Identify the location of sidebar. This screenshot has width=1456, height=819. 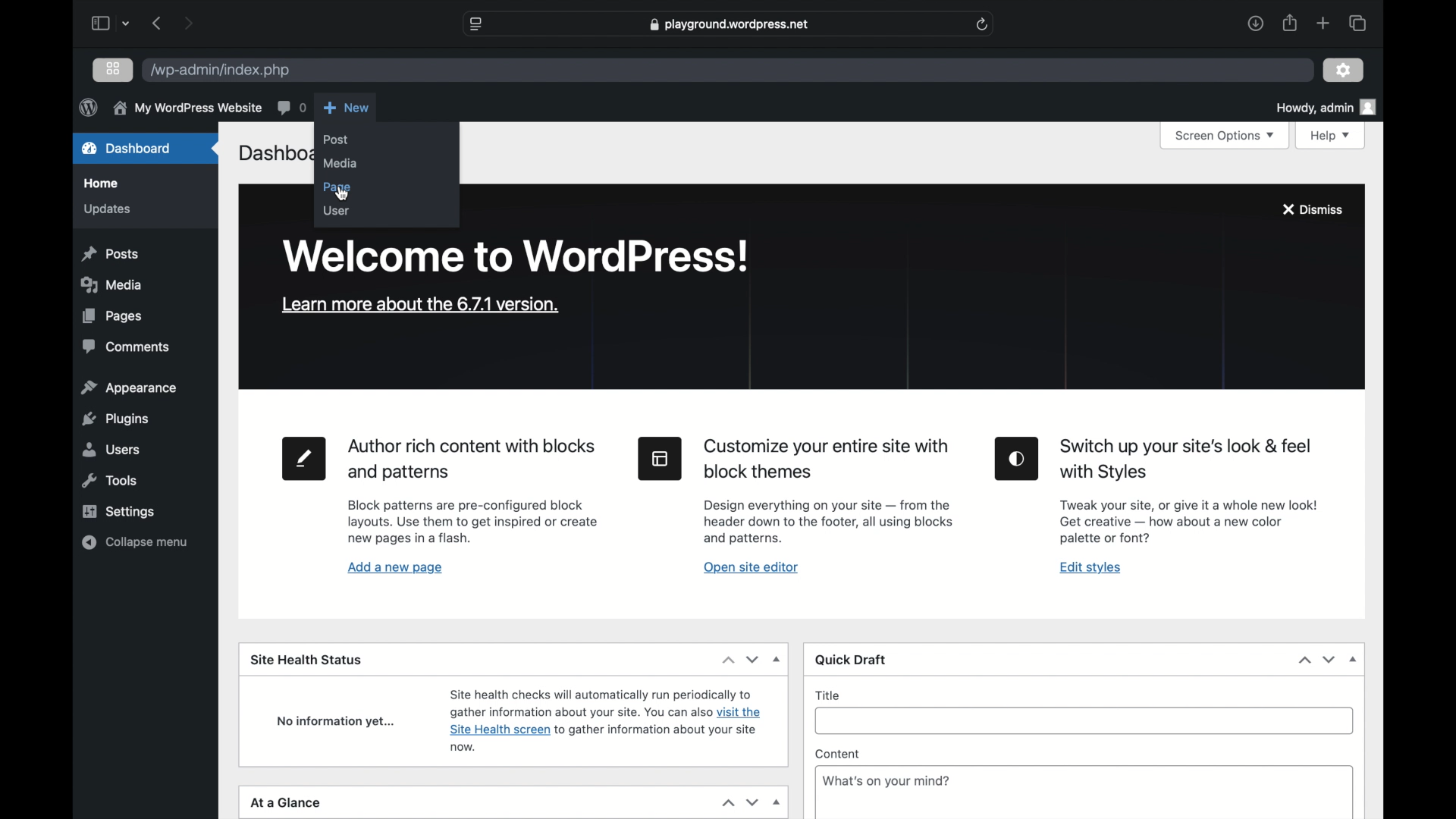
(99, 23).